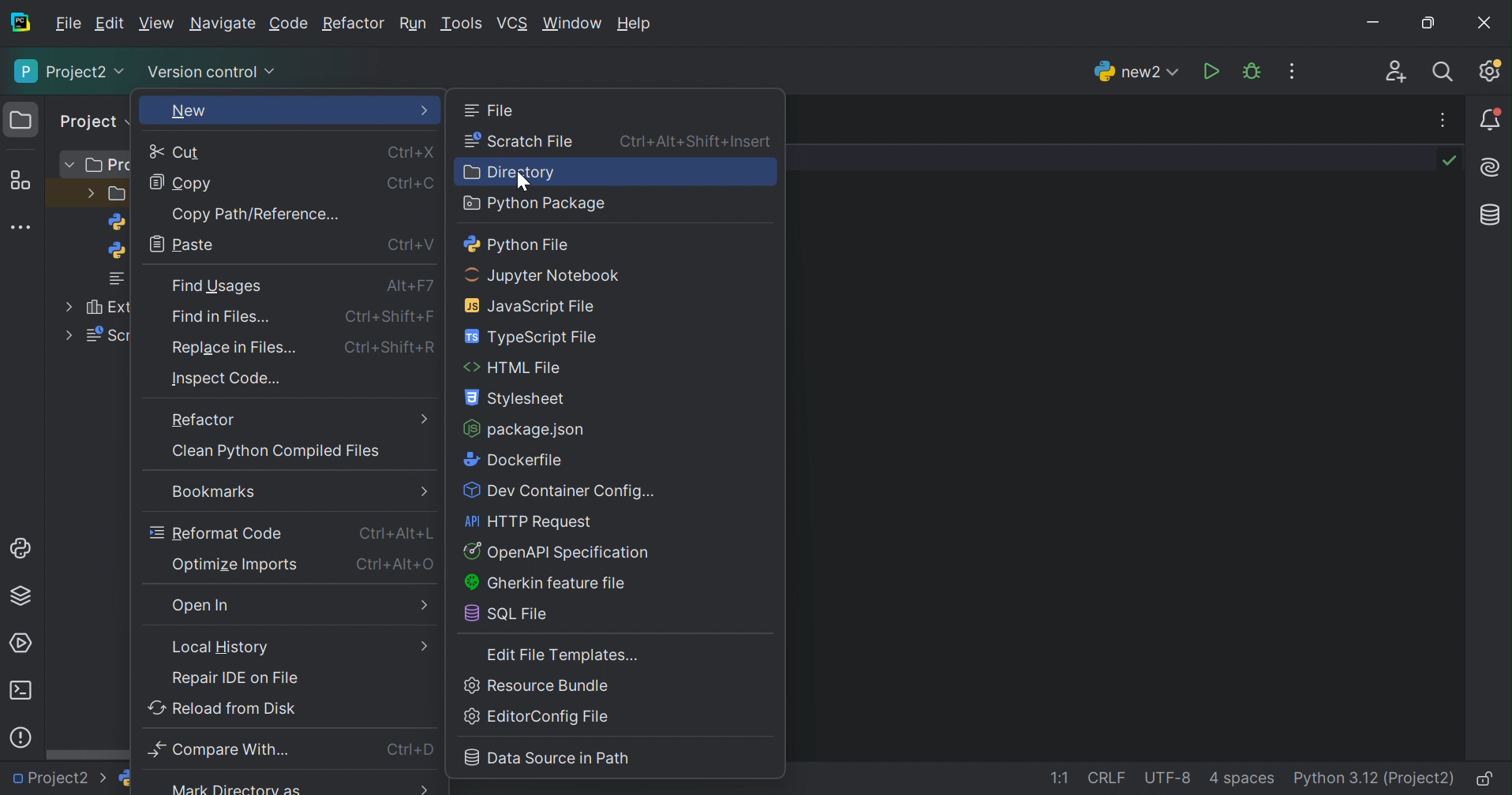  I want to click on Stylesheet, so click(518, 397).